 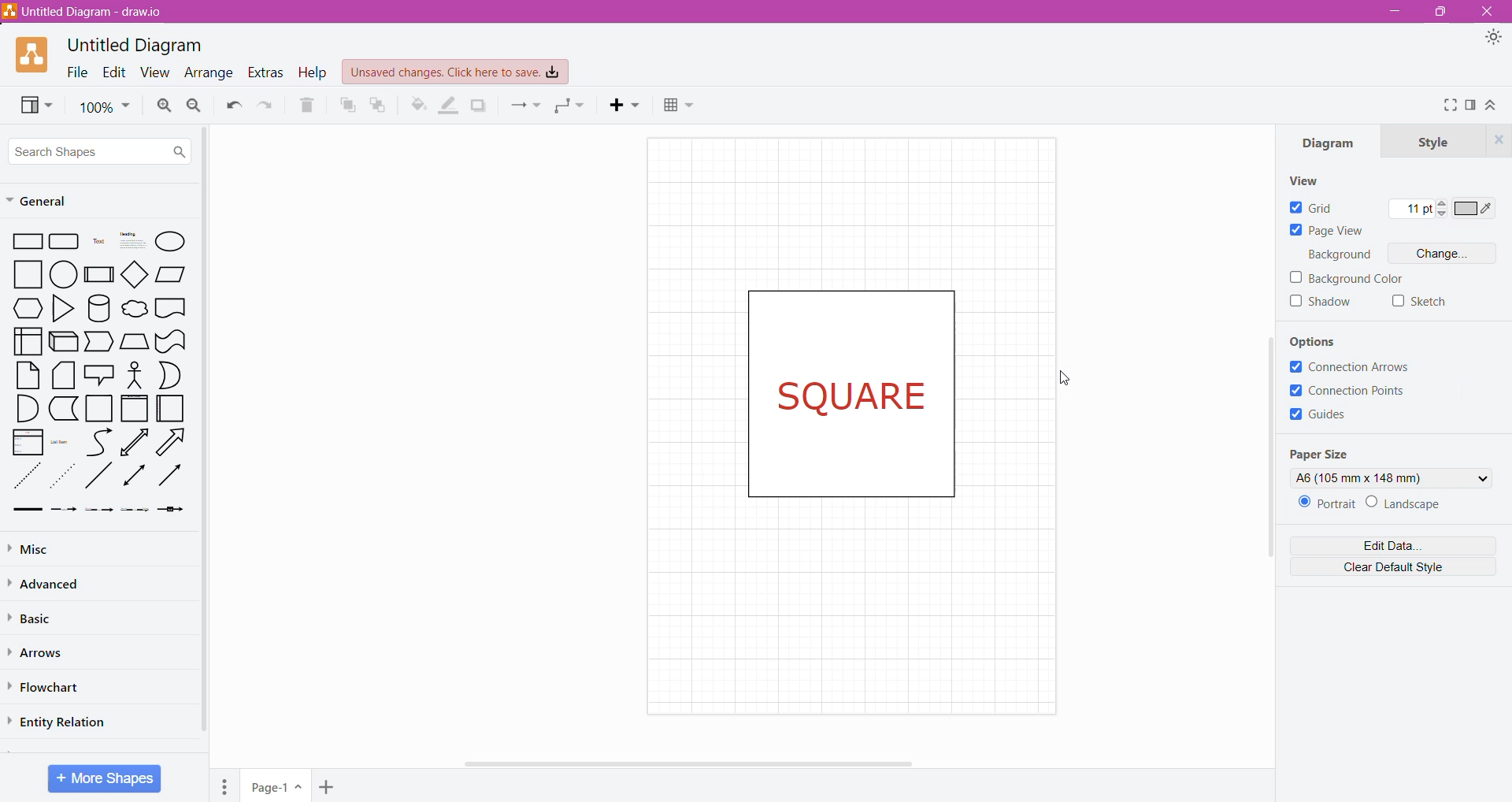 I want to click on Search Shapes, so click(x=99, y=150).